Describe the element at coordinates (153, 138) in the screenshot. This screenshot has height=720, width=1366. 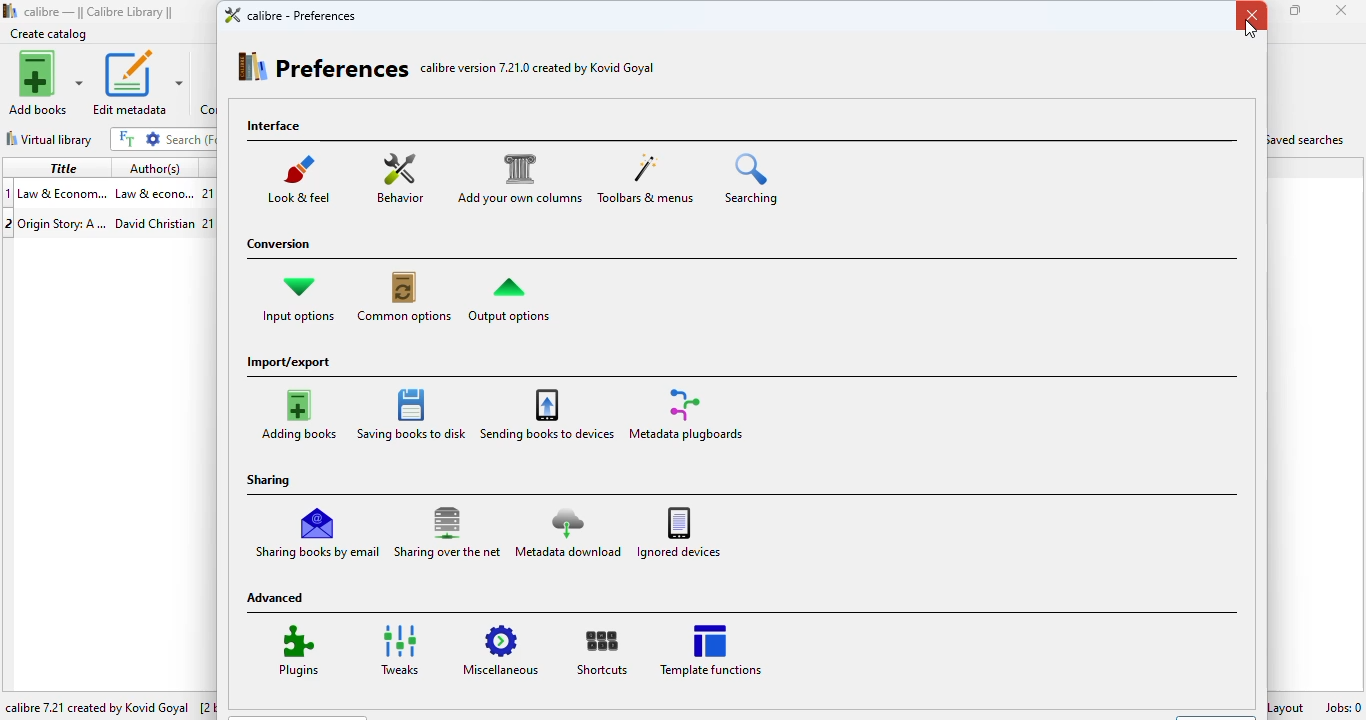
I see `advanced search` at that location.